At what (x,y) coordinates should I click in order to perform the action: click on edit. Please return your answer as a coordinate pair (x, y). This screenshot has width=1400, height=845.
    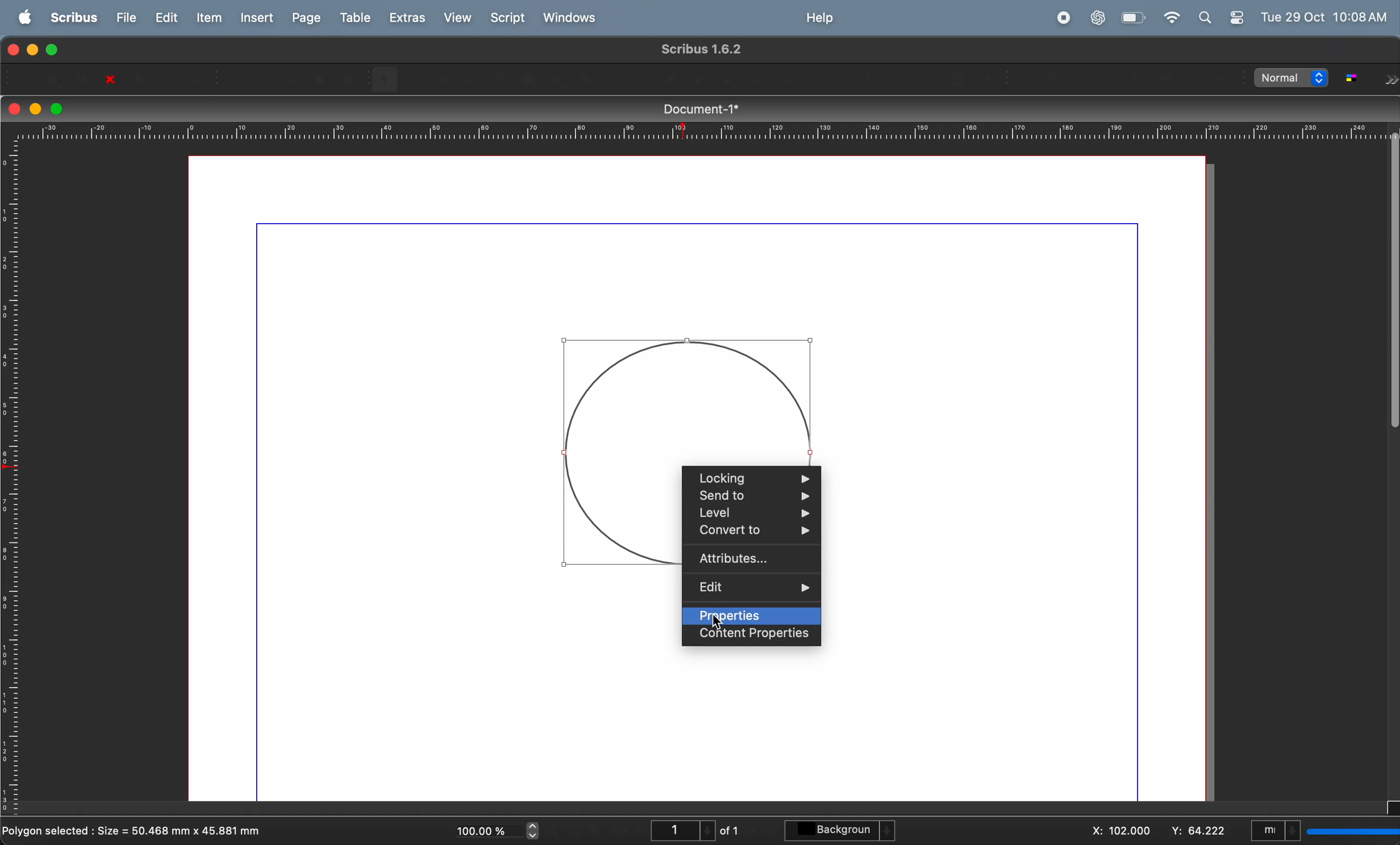
    Looking at the image, I should click on (753, 589).